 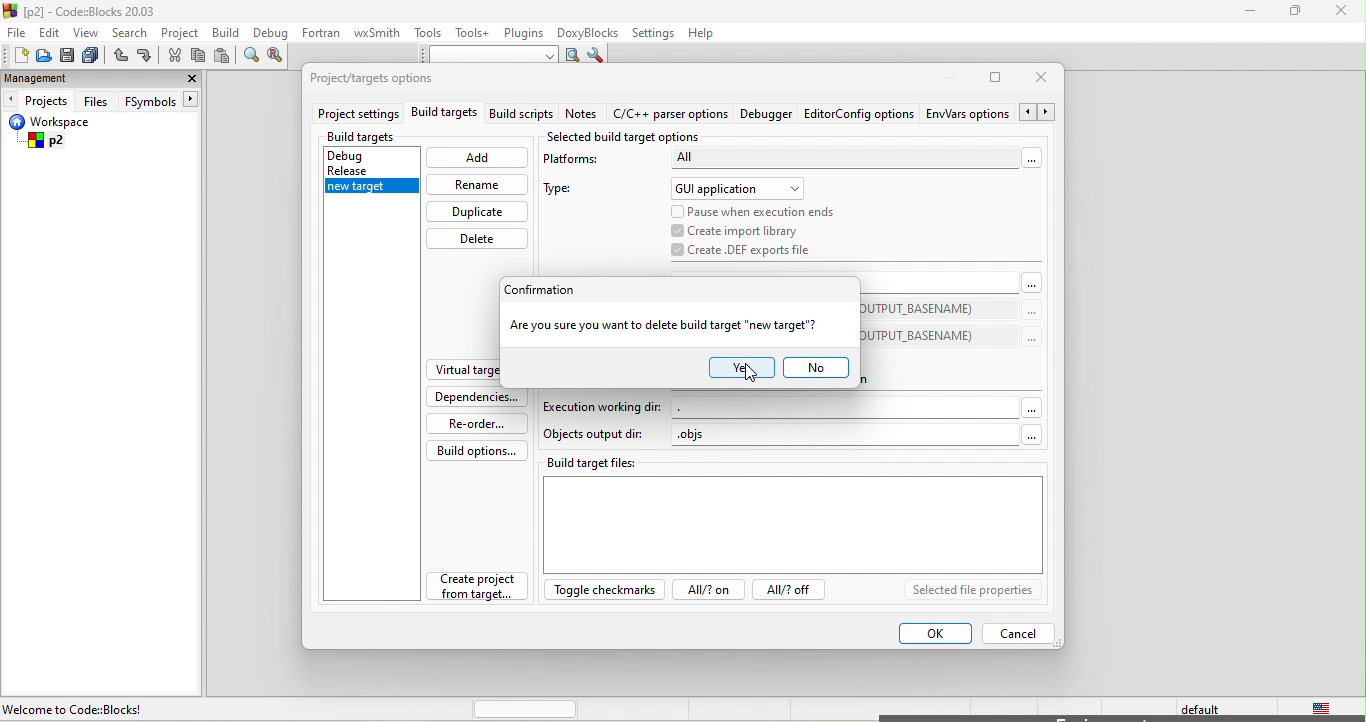 I want to click on project settings, so click(x=356, y=115).